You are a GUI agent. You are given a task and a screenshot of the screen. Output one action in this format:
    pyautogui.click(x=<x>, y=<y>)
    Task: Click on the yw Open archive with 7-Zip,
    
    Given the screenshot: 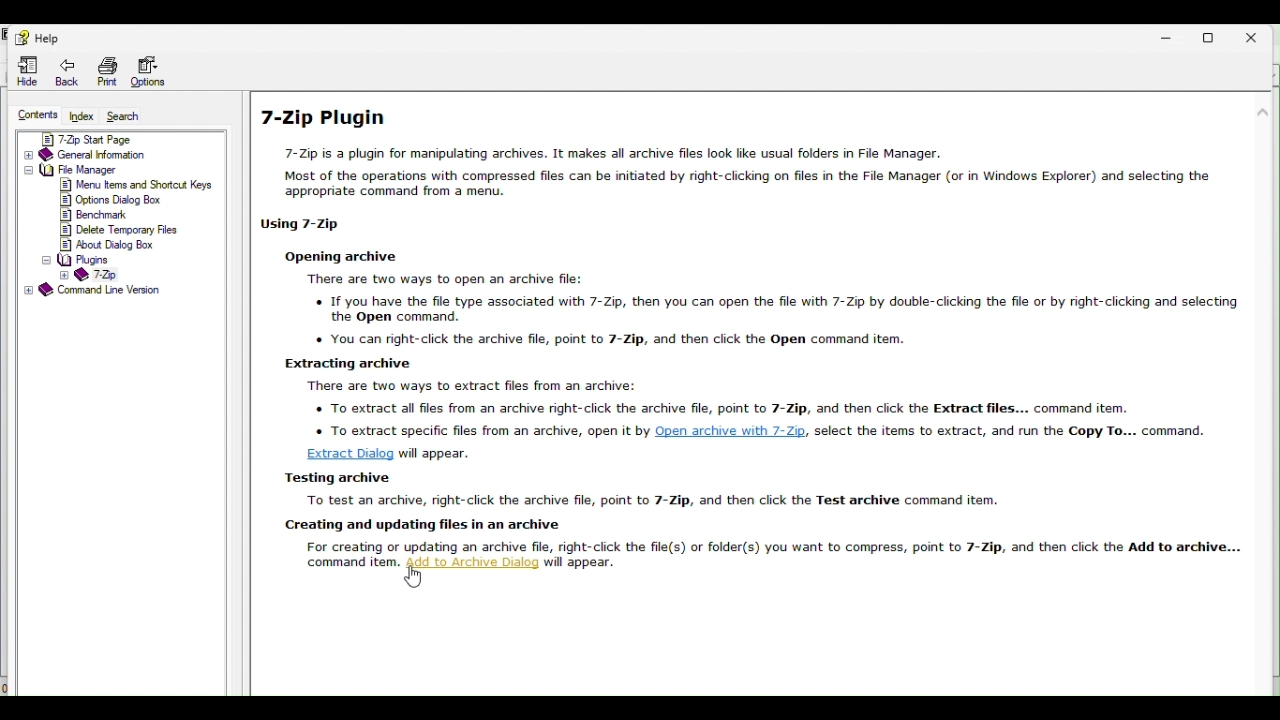 What is the action you would take?
    pyautogui.click(x=734, y=429)
    